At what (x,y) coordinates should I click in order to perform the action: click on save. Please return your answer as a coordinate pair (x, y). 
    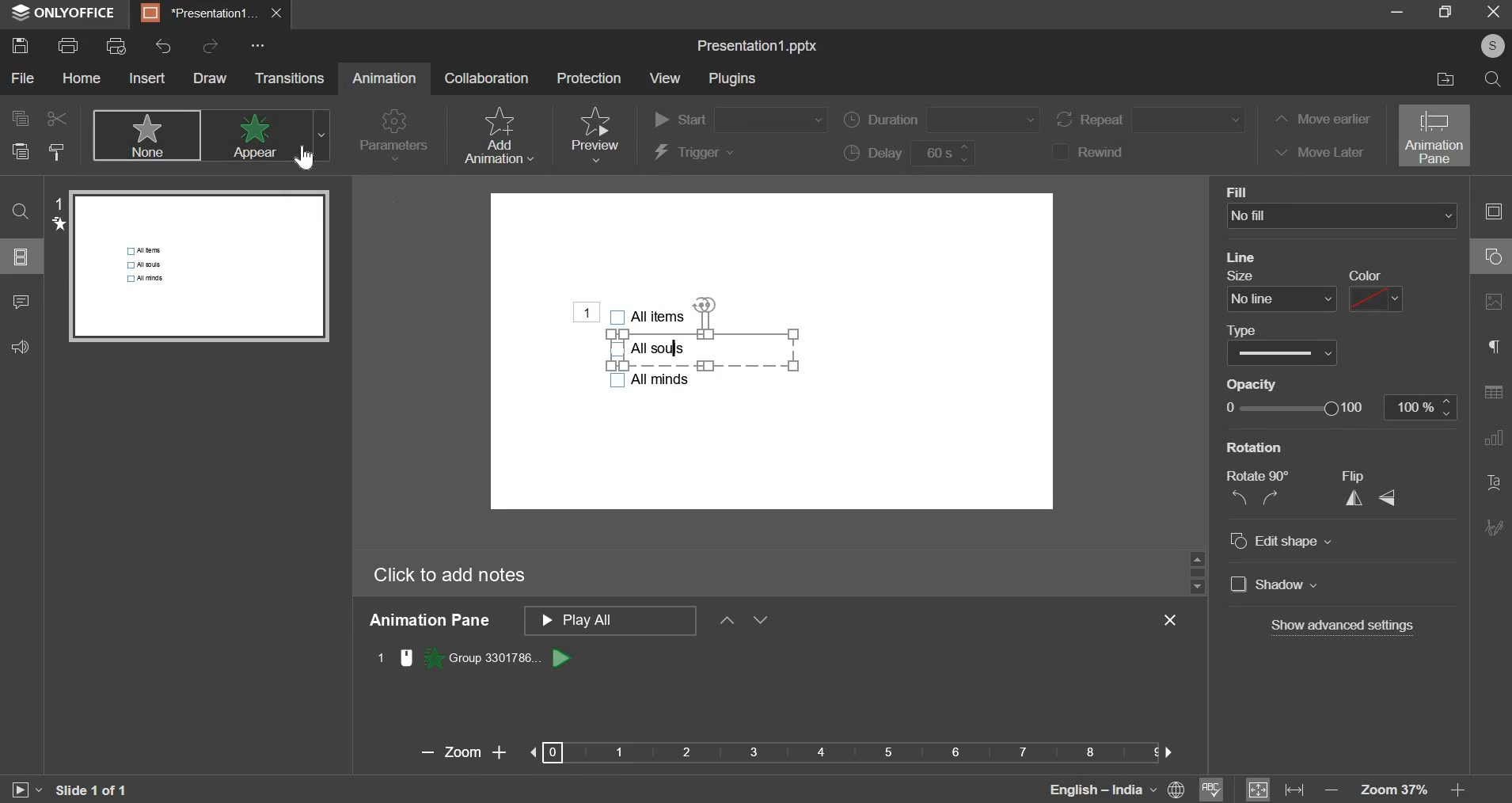
    Looking at the image, I should click on (19, 45).